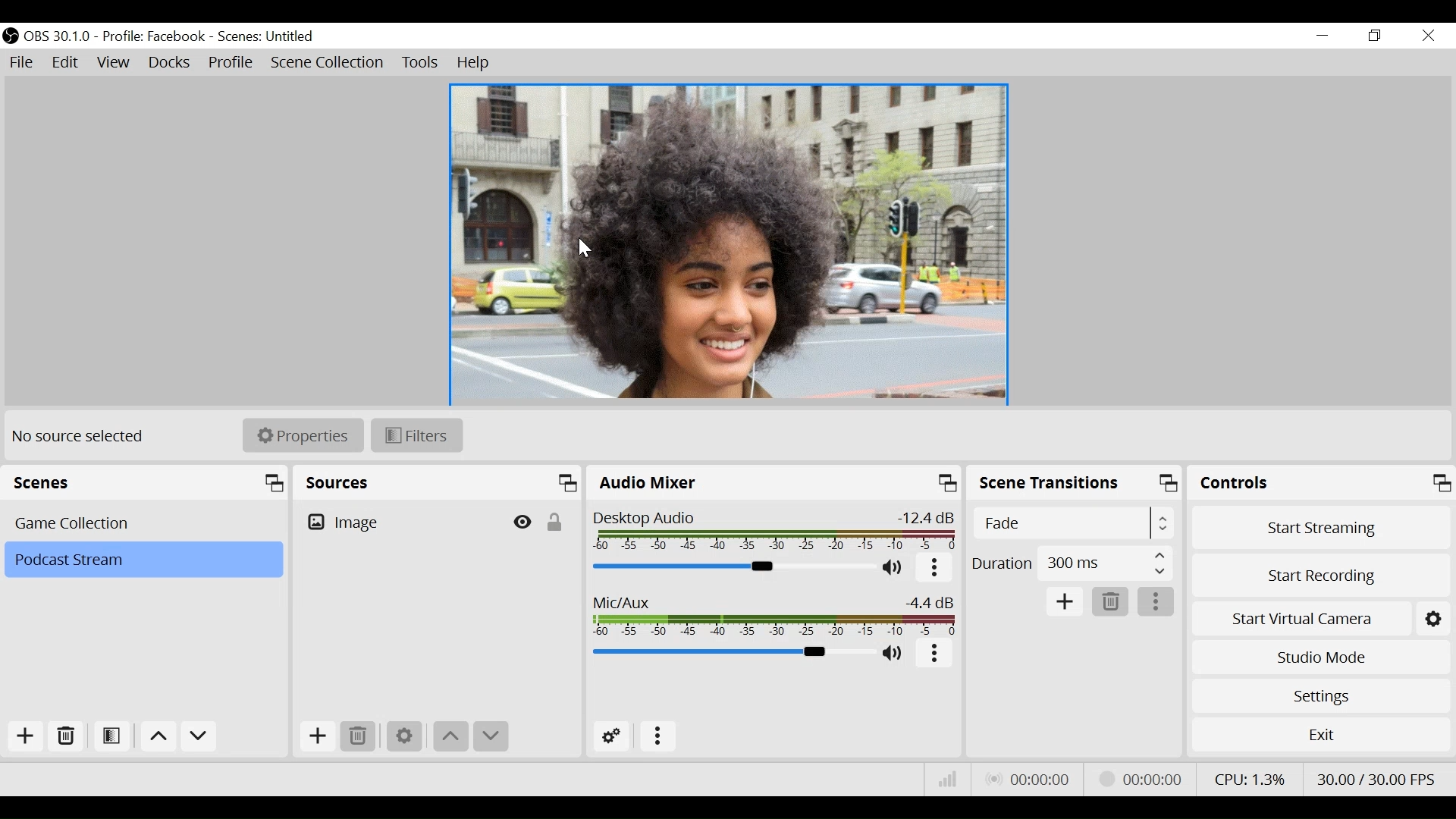  What do you see at coordinates (1066, 601) in the screenshot?
I see `Add ` at bounding box center [1066, 601].